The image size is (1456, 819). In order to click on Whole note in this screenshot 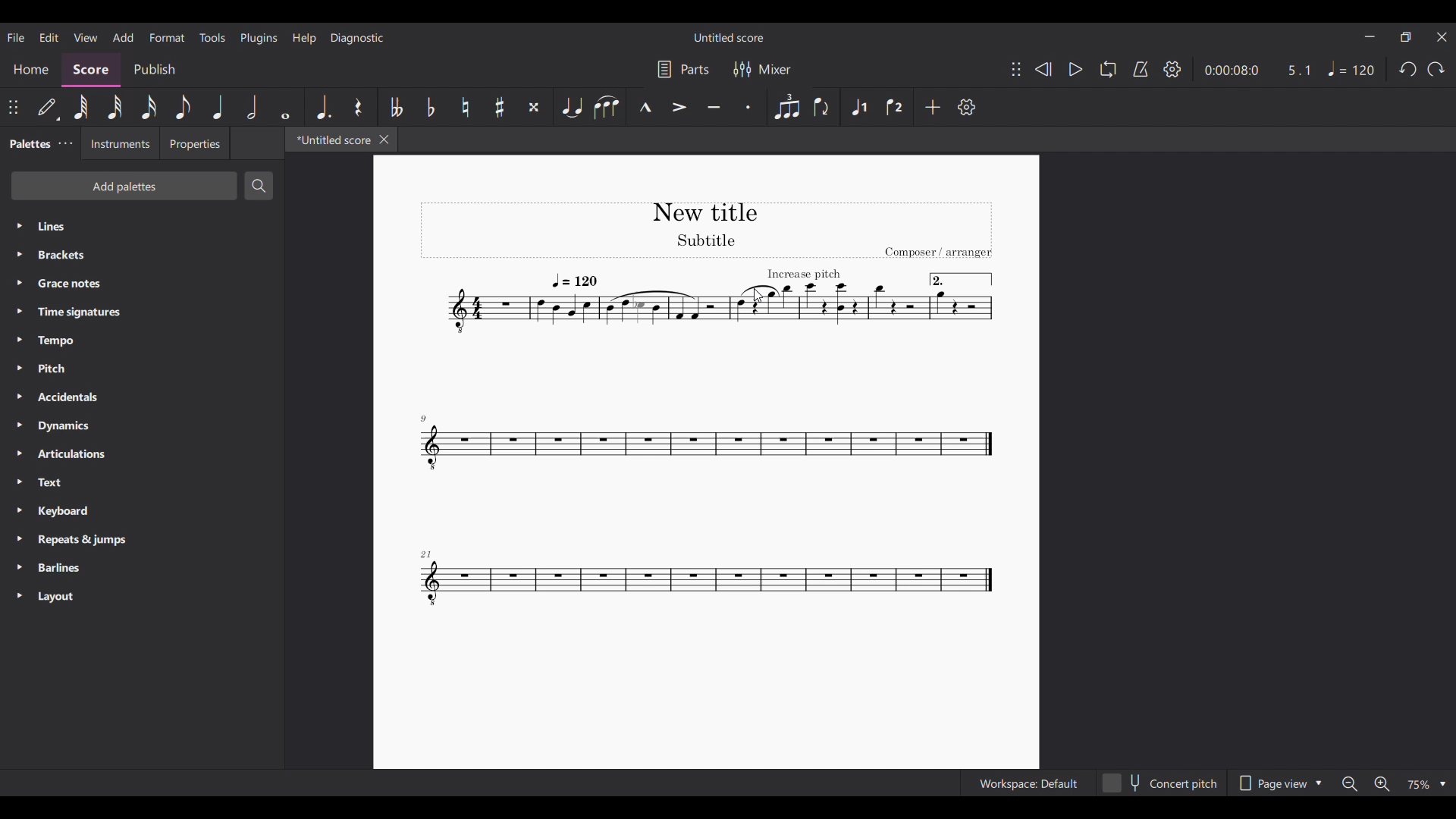, I will do `click(284, 107)`.